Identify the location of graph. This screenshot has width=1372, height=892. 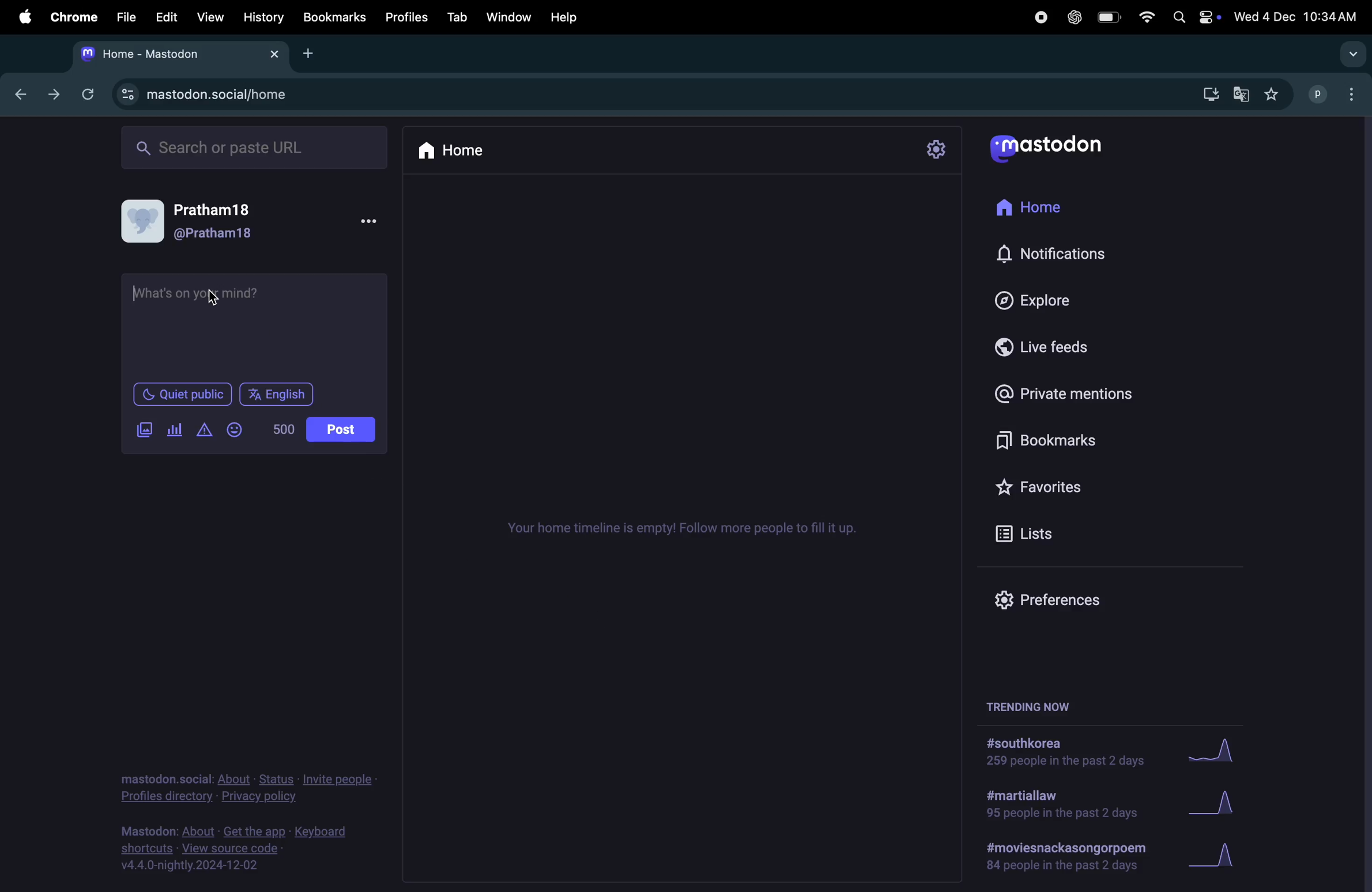
(1220, 856).